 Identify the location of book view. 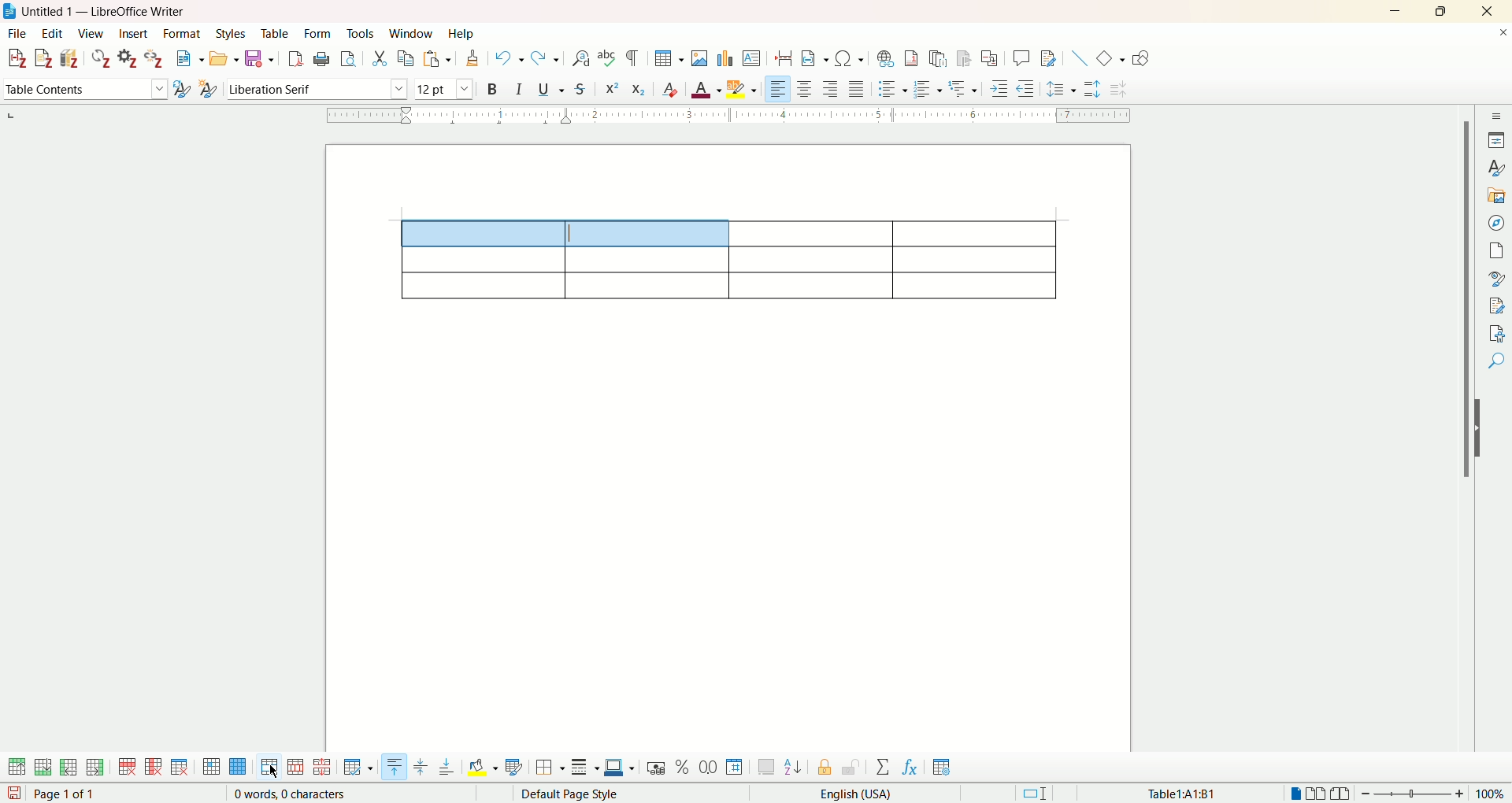
(1341, 794).